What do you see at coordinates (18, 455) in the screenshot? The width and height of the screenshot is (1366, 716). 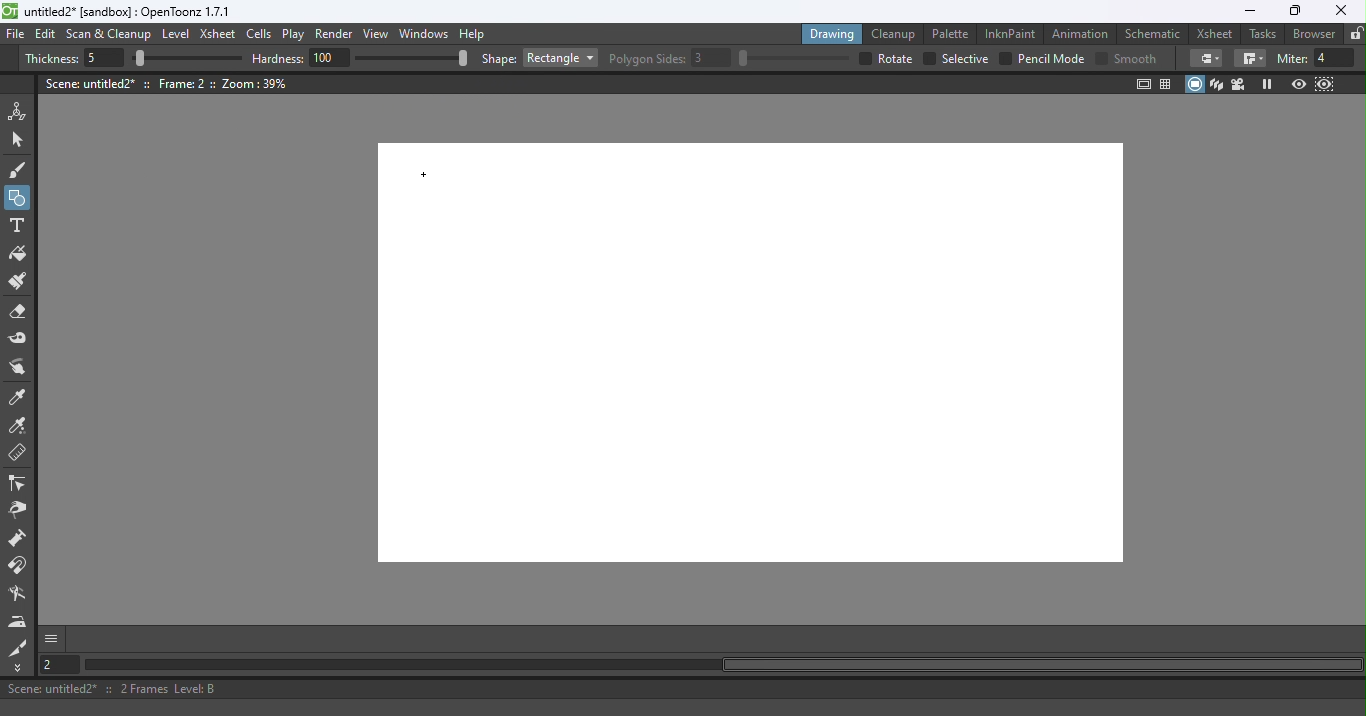 I see `Ruler tool` at bounding box center [18, 455].